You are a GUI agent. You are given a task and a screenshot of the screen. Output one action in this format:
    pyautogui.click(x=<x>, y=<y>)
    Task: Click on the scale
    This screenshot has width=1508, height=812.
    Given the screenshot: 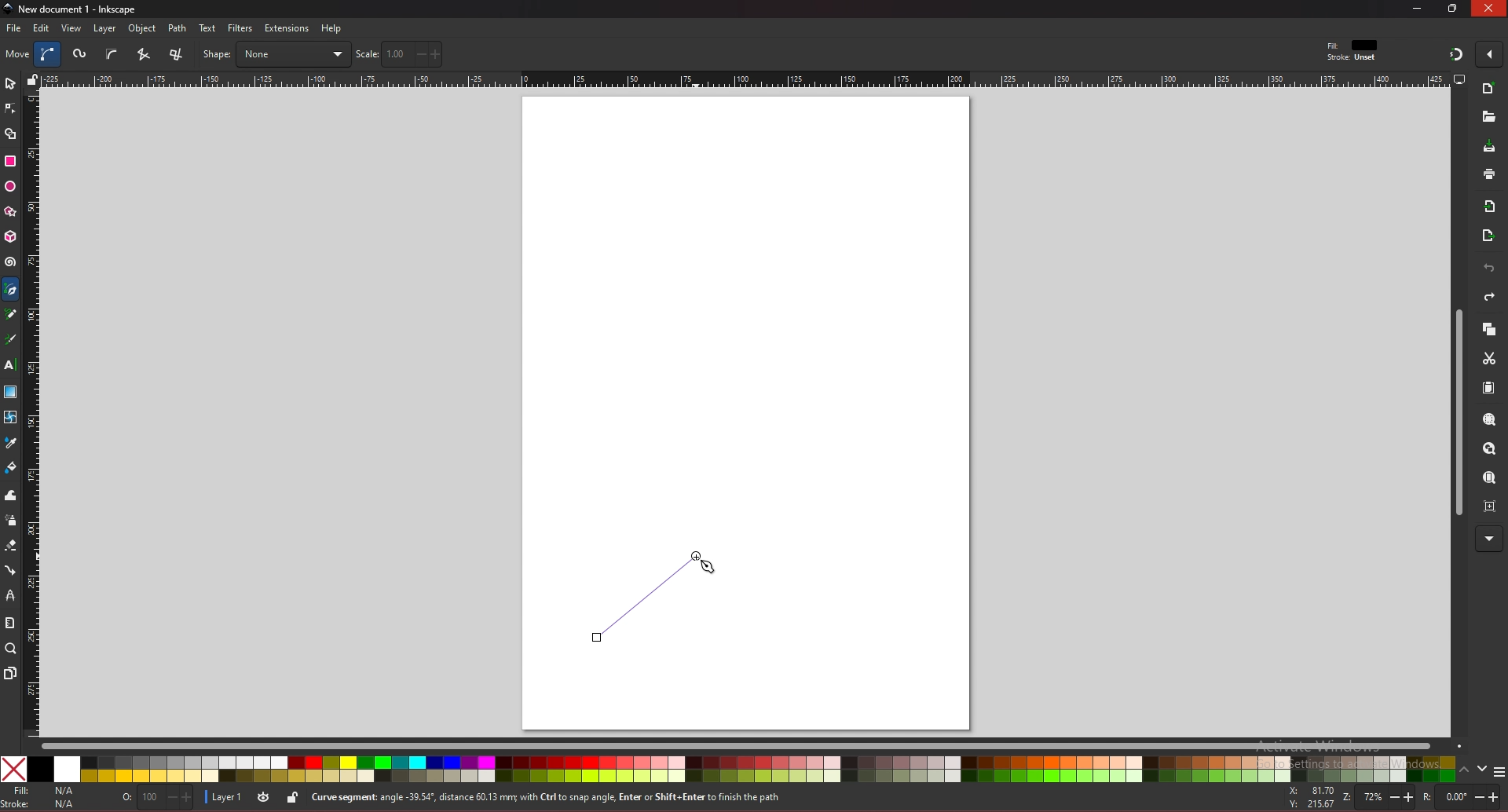 What is the action you would take?
    pyautogui.click(x=399, y=53)
    